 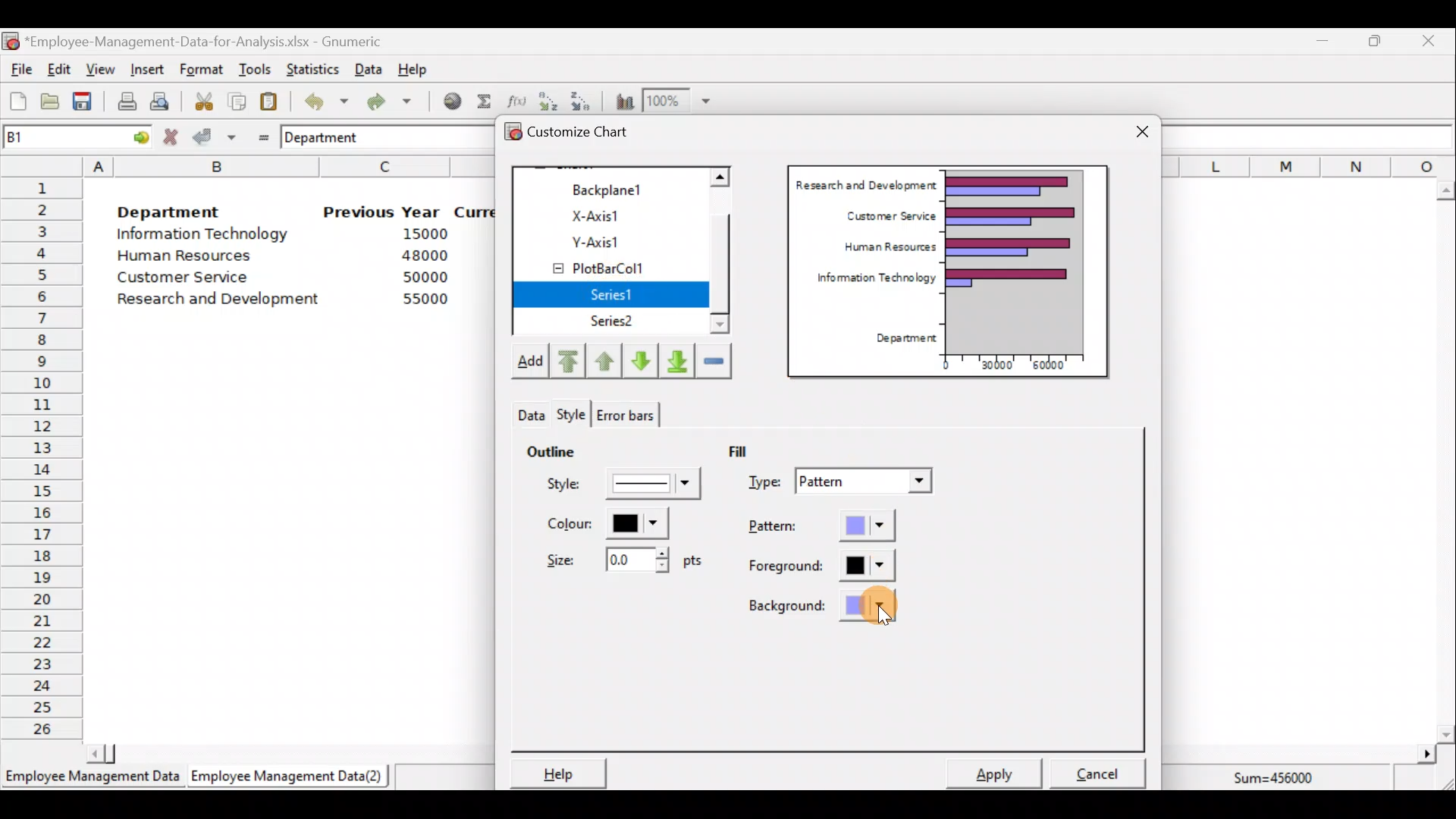 I want to click on Employee Management Data, so click(x=91, y=781).